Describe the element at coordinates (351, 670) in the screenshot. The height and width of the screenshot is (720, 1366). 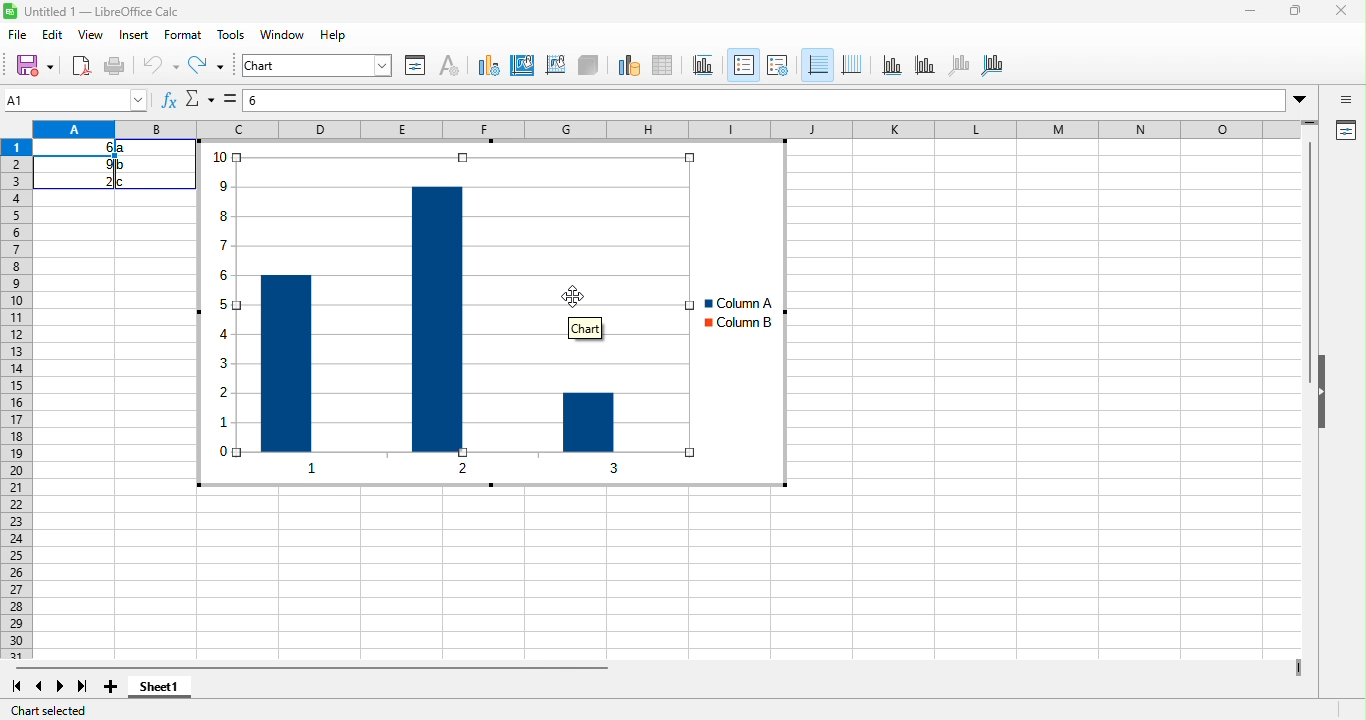
I see `horizontal scroll bar` at that location.